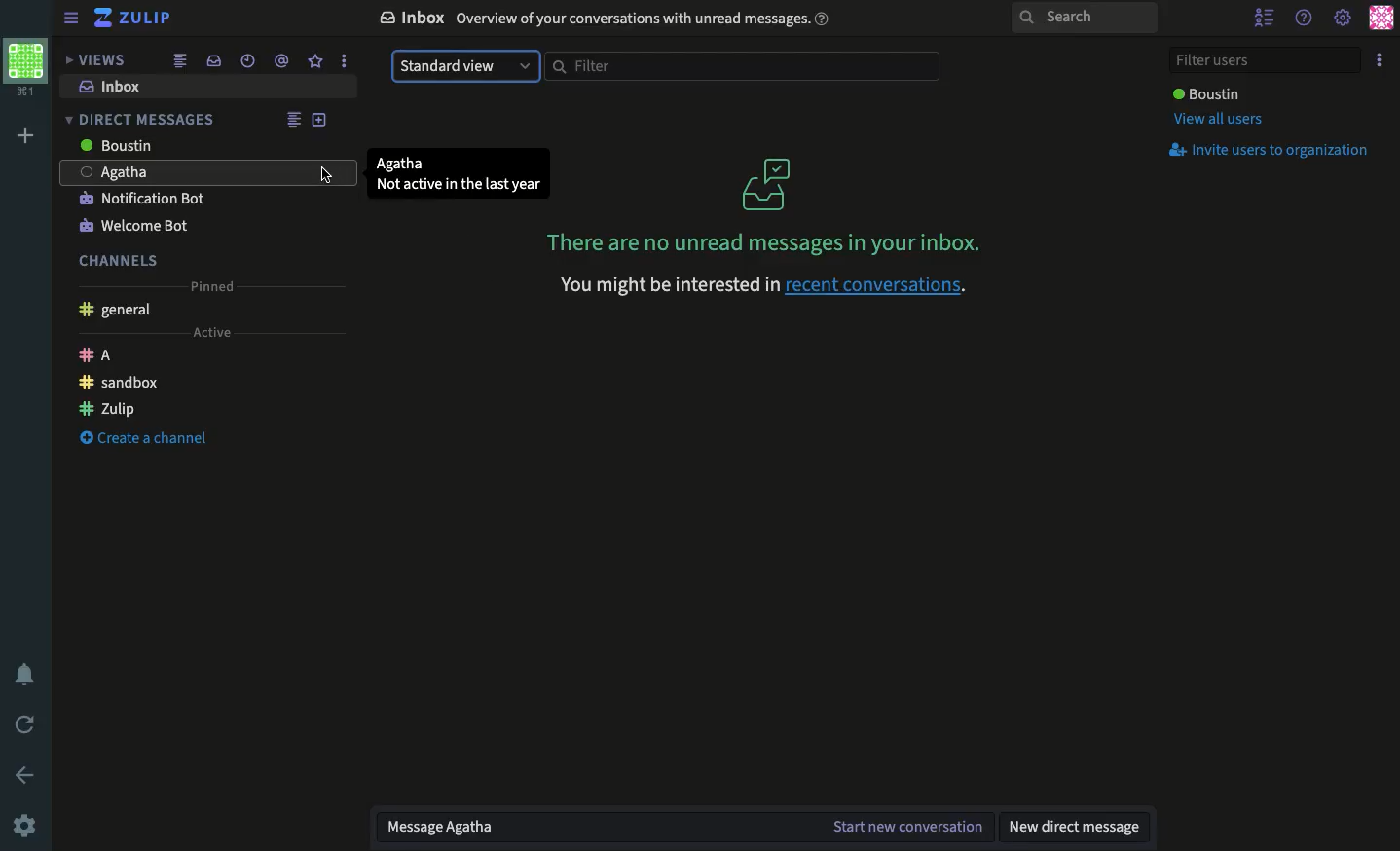 Image resolution: width=1400 pixels, height=851 pixels. What do you see at coordinates (1085, 18) in the screenshot?
I see `Search` at bounding box center [1085, 18].